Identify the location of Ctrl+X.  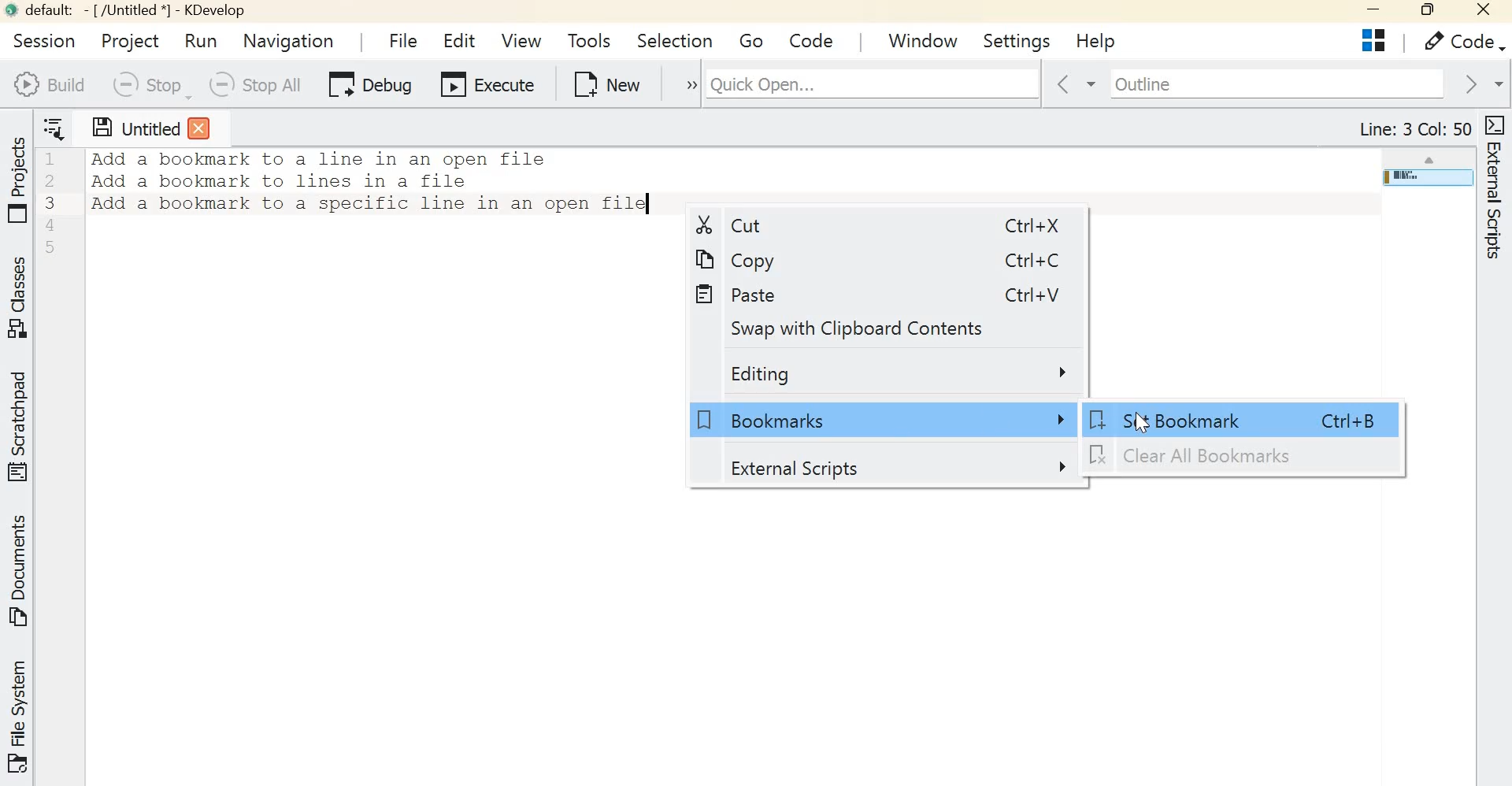
(1030, 224).